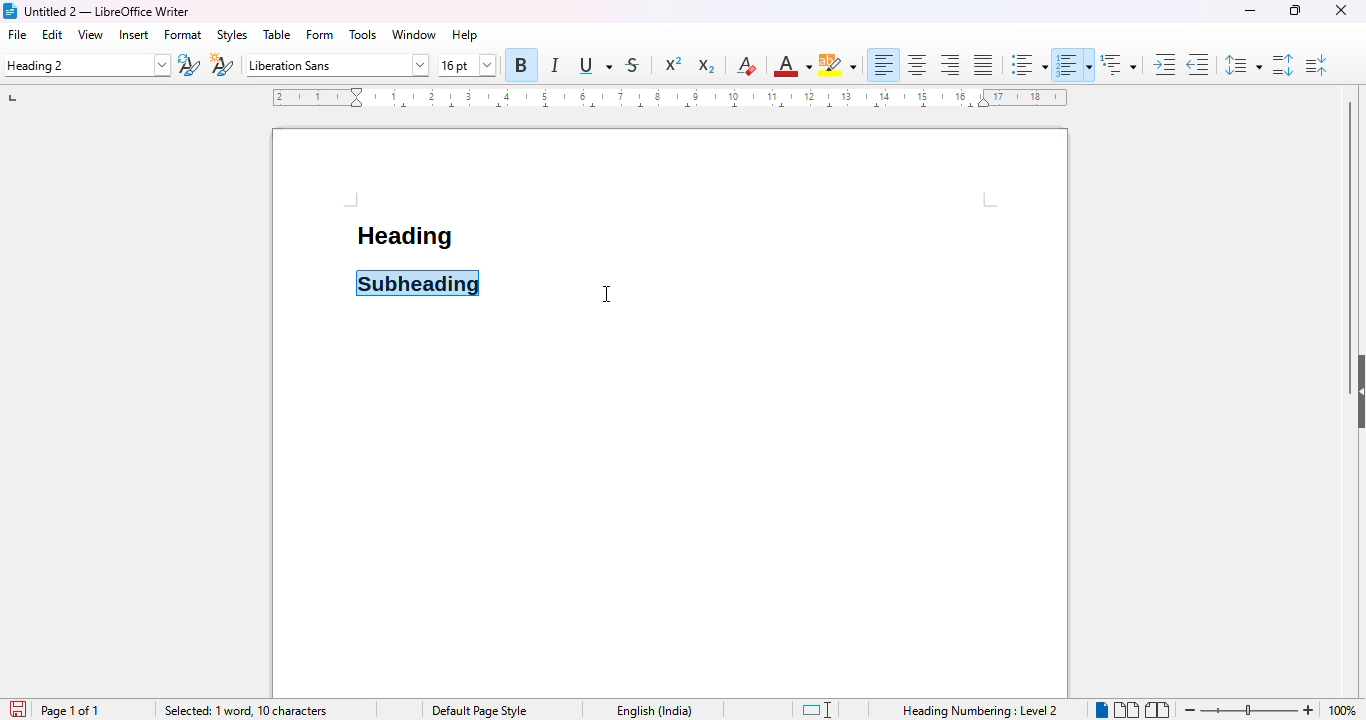 The width and height of the screenshot is (1366, 720). I want to click on "heading 2" applied to subheading, so click(417, 283).